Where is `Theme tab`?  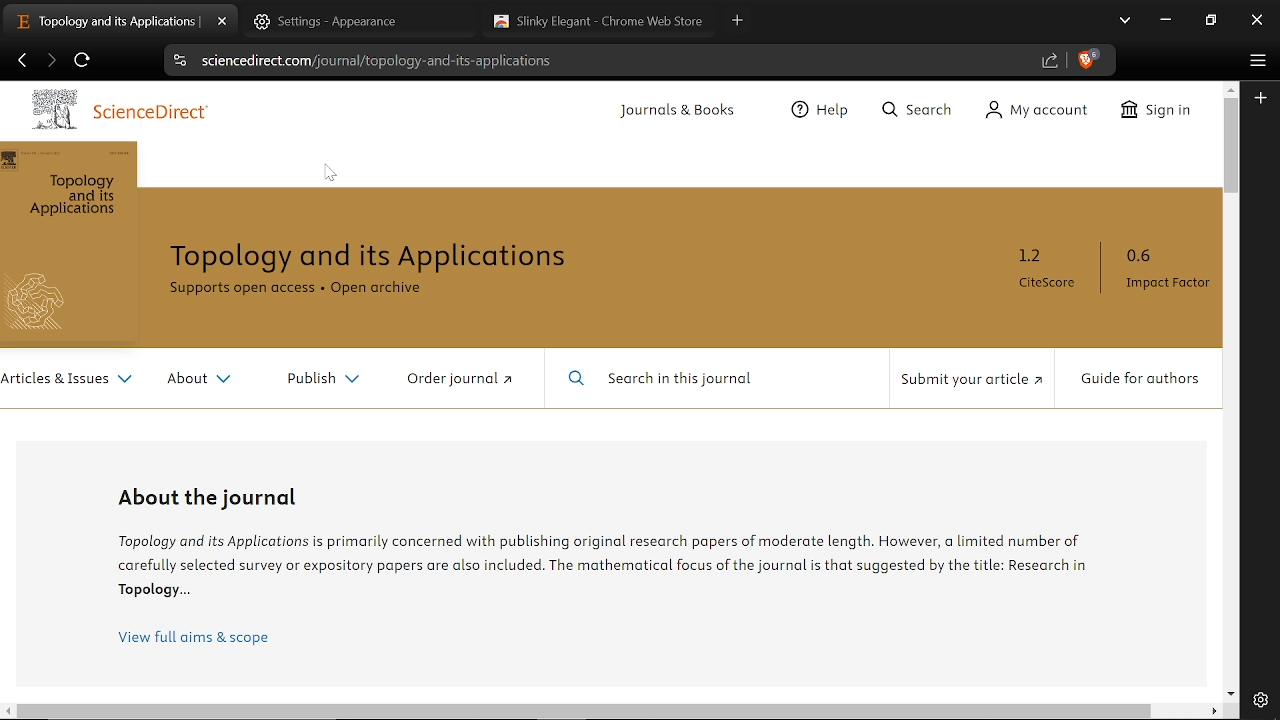
Theme tab is located at coordinates (597, 22).